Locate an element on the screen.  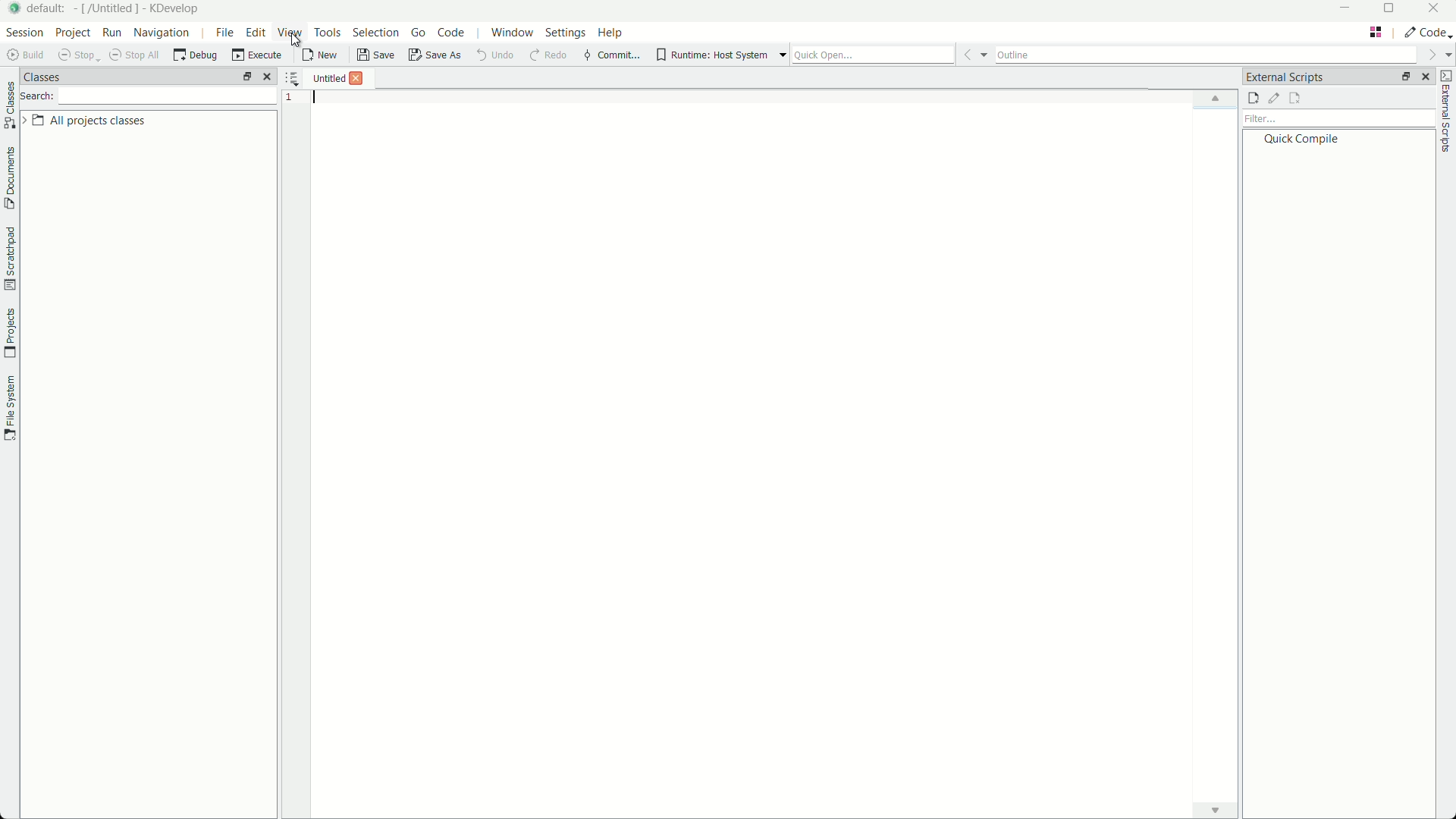
view menu is located at coordinates (287, 31).